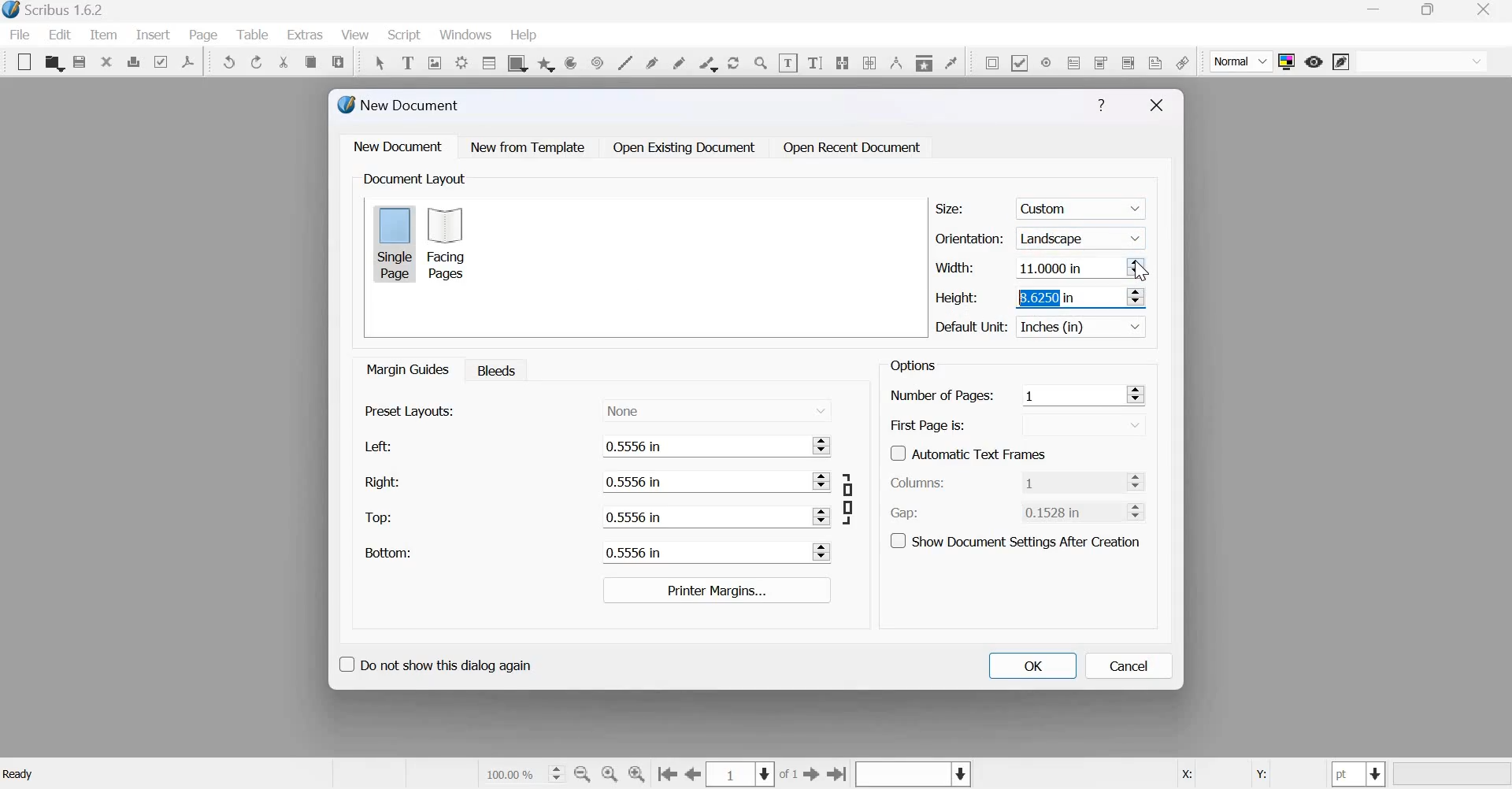  What do you see at coordinates (80, 62) in the screenshot?
I see `save` at bounding box center [80, 62].